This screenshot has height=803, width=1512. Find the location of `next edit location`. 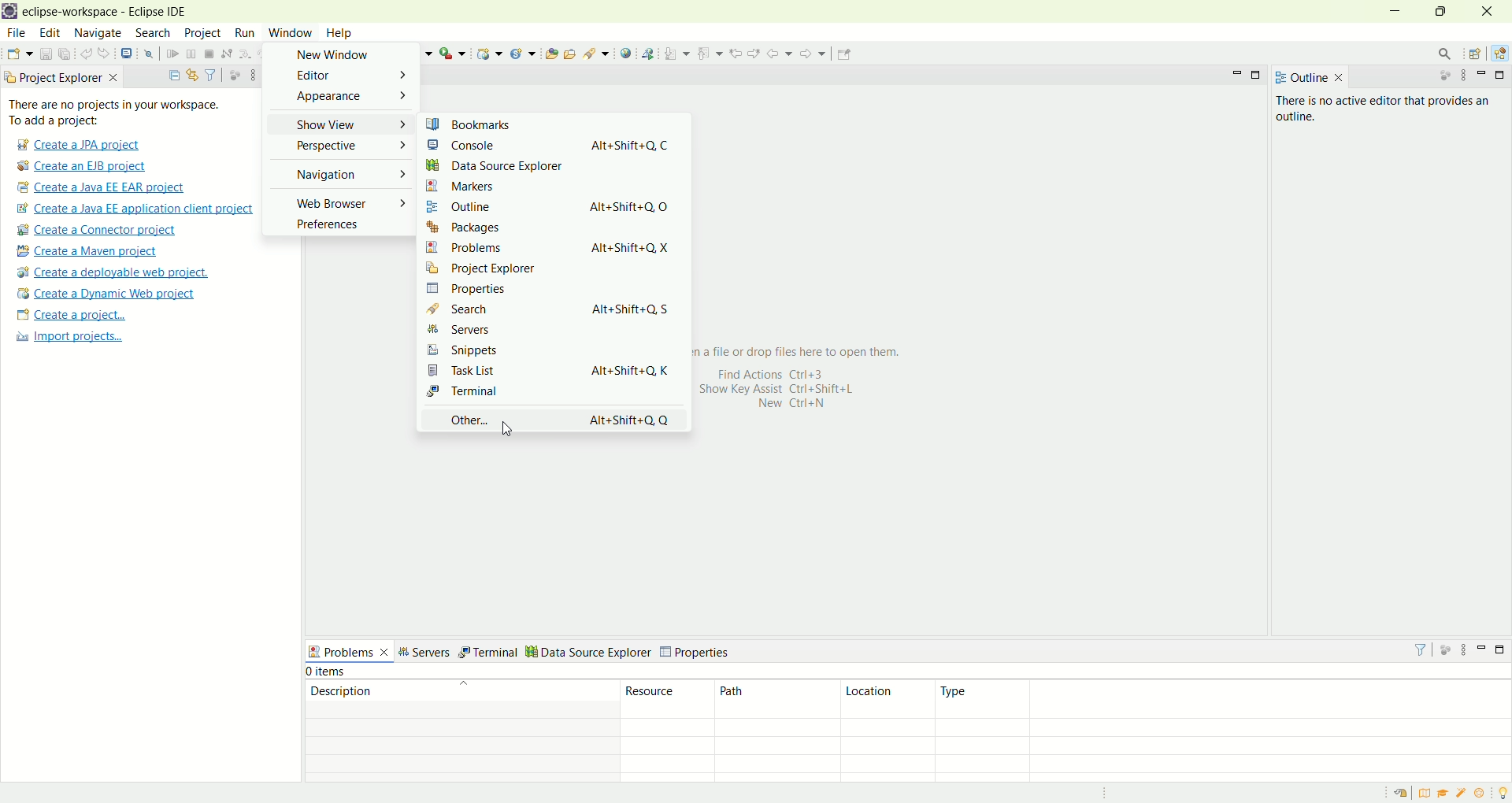

next edit location is located at coordinates (754, 52).